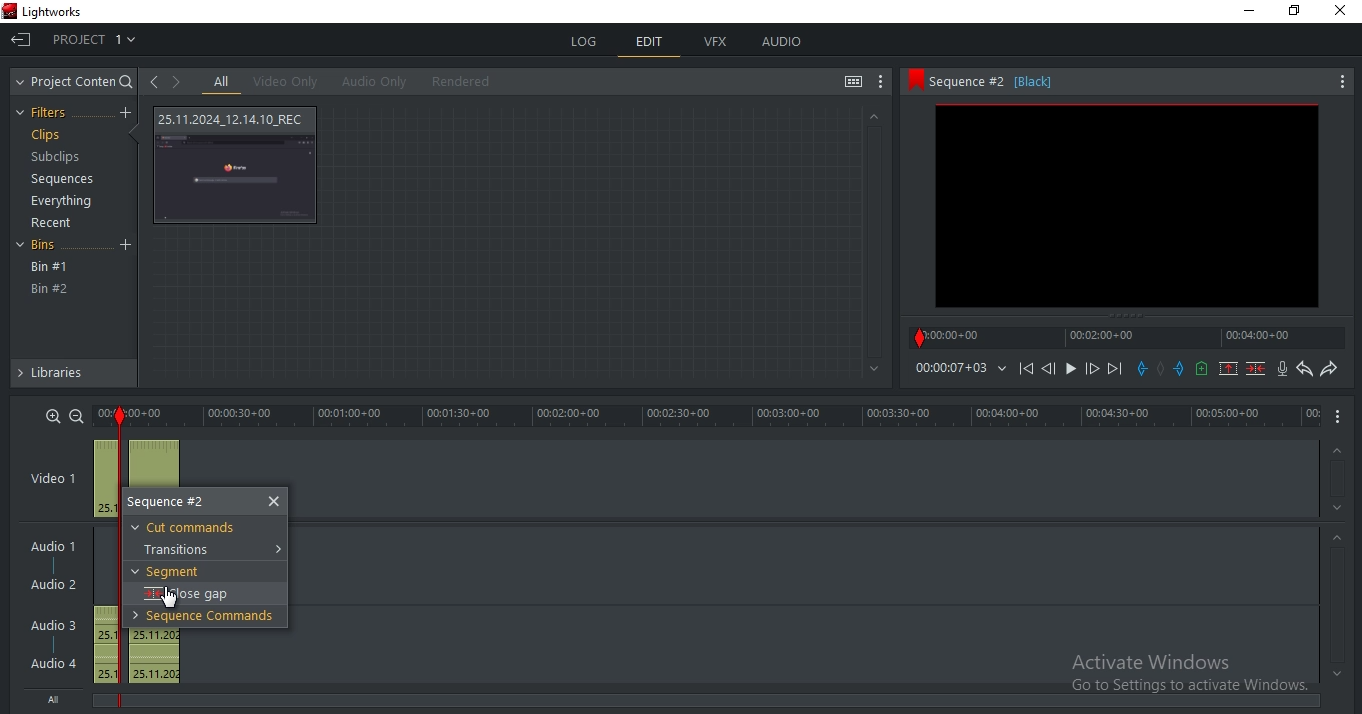  What do you see at coordinates (461, 81) in the screenshot?
I see `rendered` at bounding box center [461, 81].